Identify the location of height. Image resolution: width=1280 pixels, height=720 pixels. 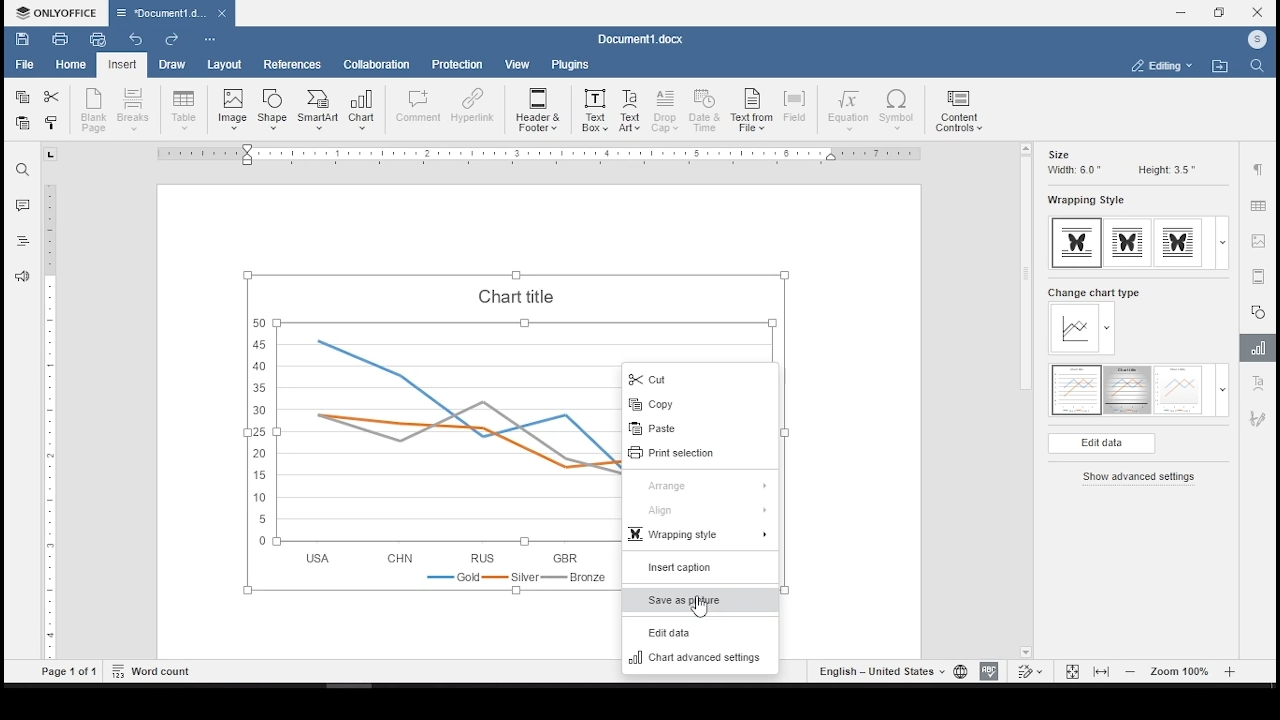
(1166, 170).